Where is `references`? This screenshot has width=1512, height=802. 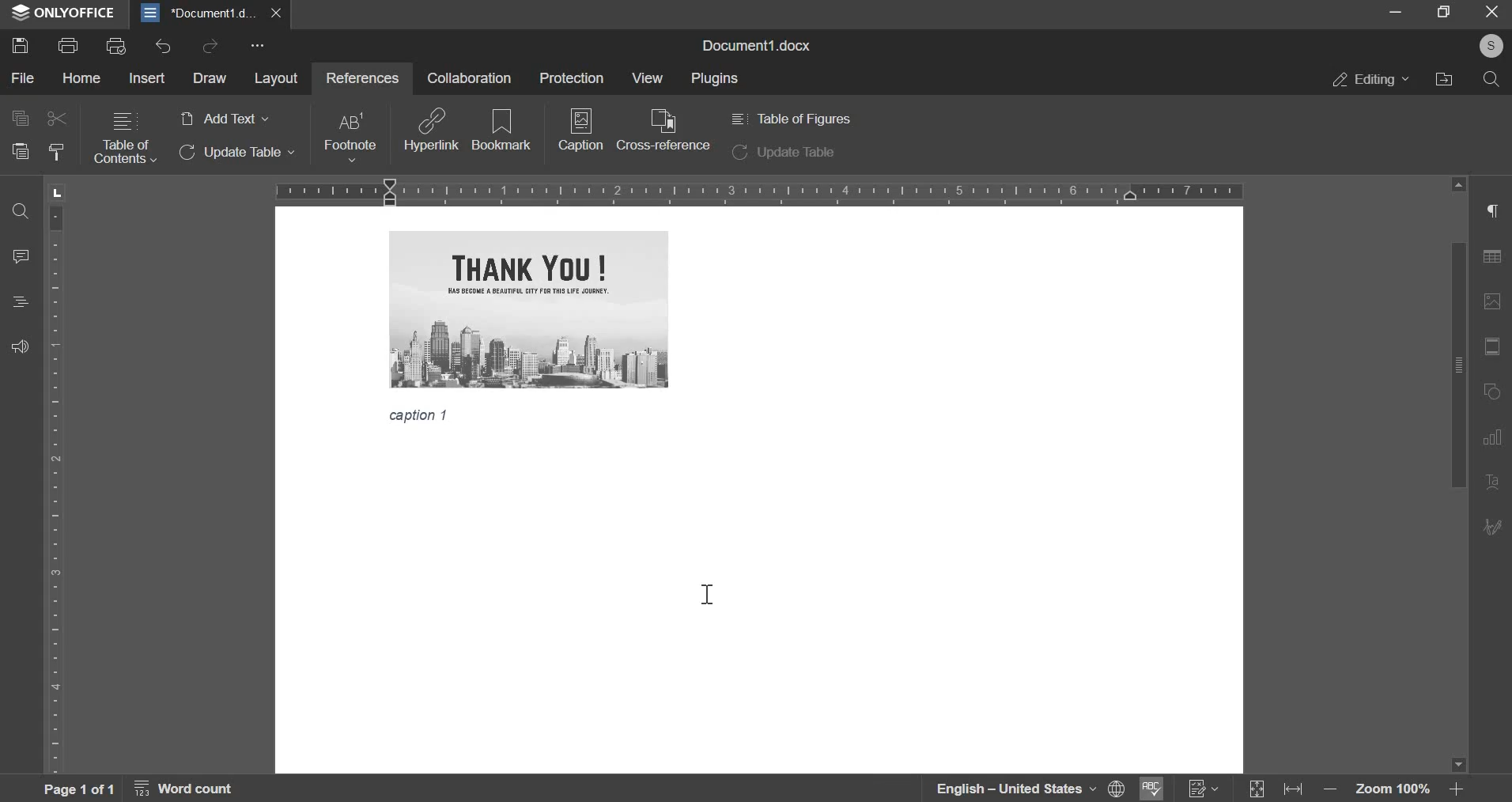
references is located at coordinates (360, 77).